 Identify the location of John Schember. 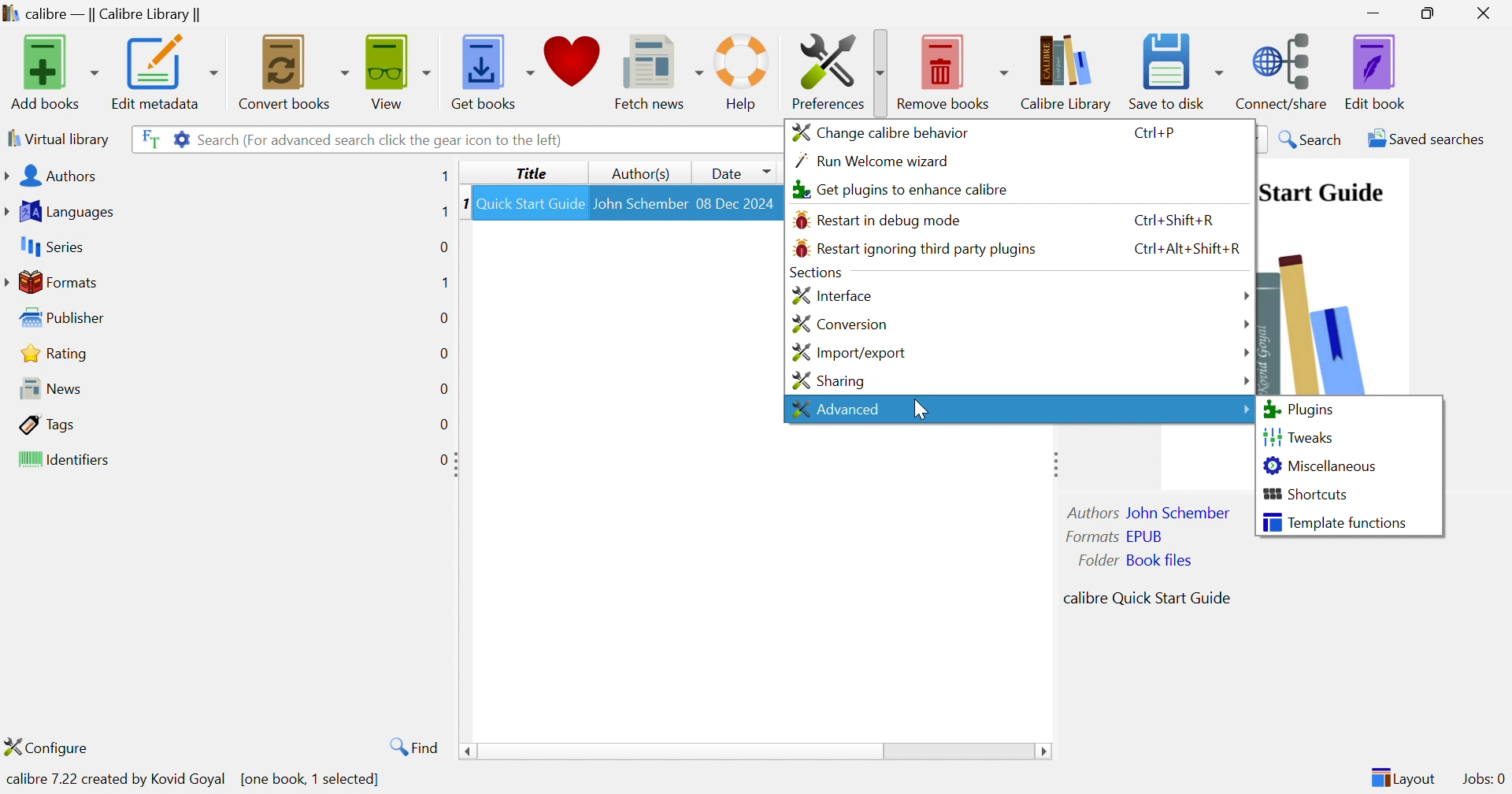
(640, 202).